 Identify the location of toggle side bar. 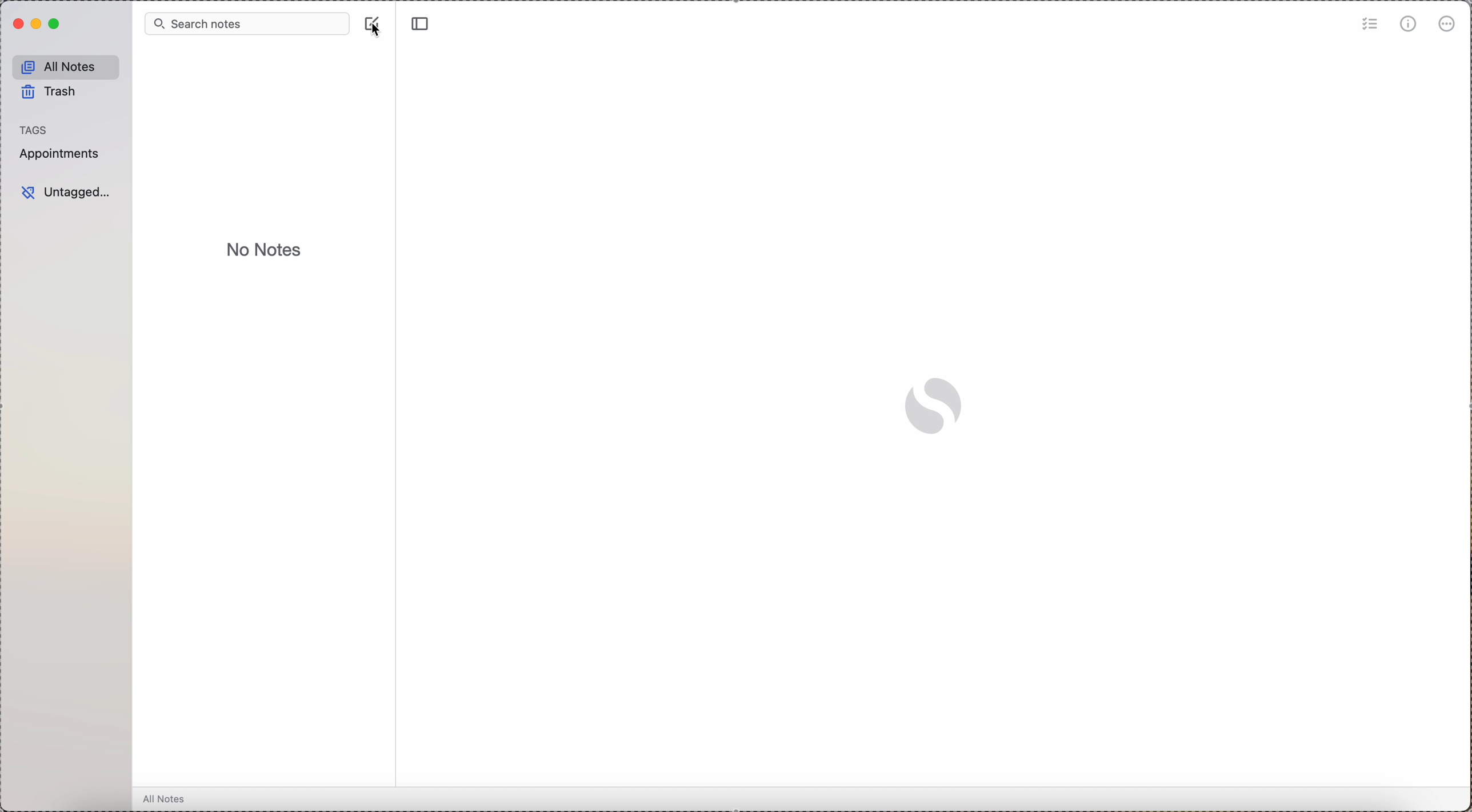
(423, 24).